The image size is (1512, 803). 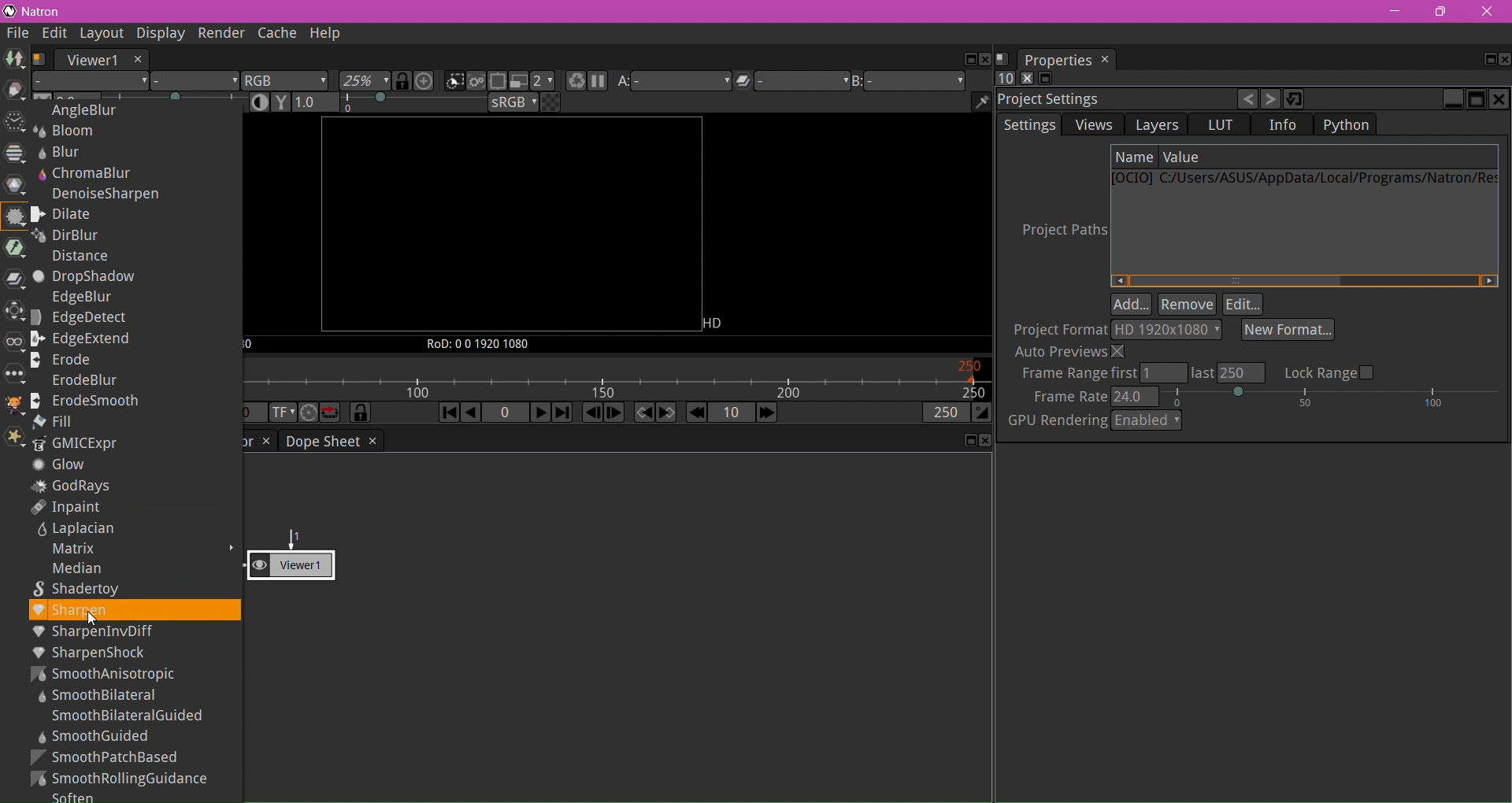 What do you see at coordinates (70, 131) in the screenshot?
I see `Bloom` at bounding box center [70, 131].